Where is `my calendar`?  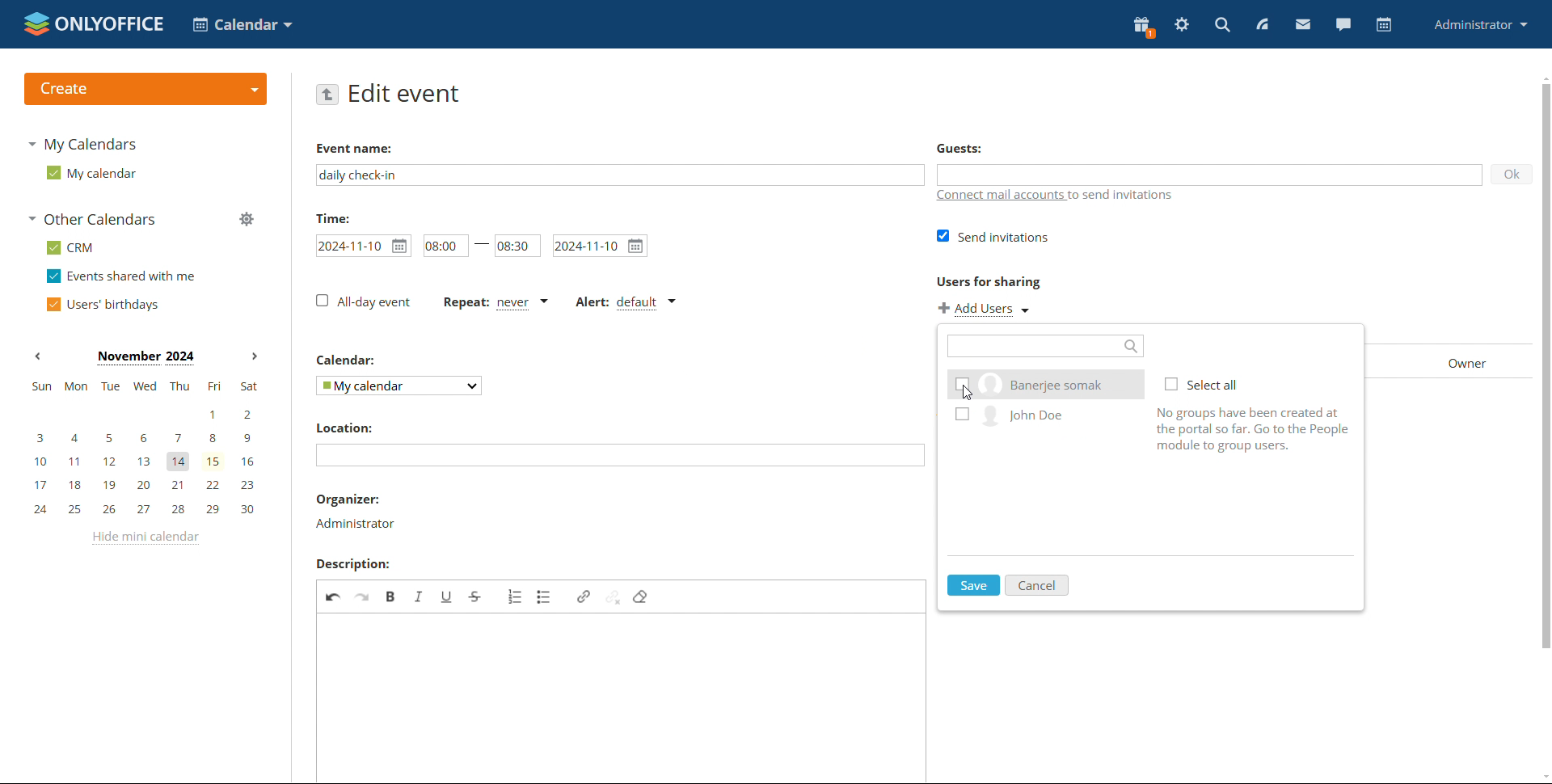
my calendar is located at coordinates (90, 172).